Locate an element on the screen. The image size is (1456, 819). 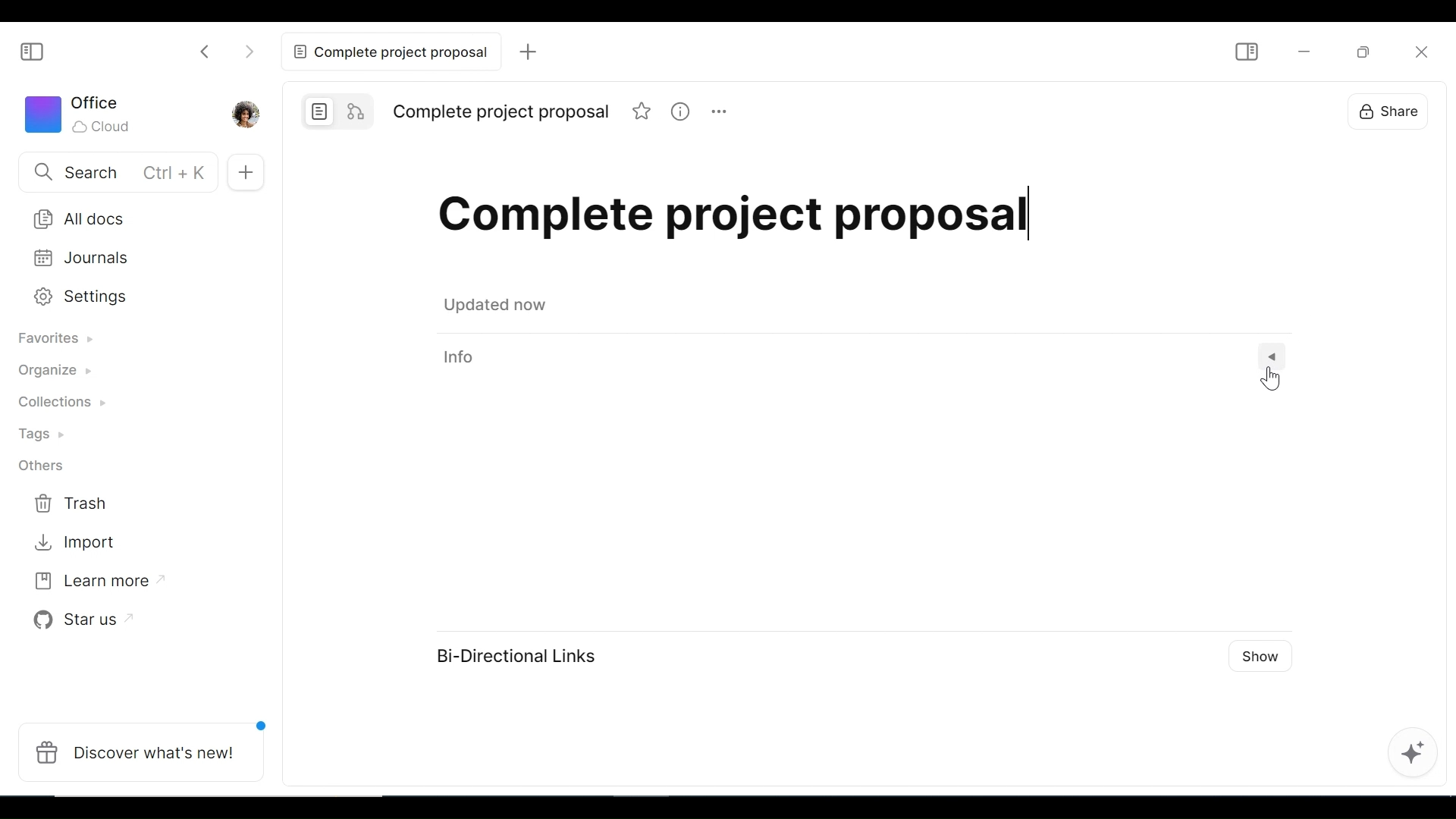
Add is located at coordinates (529, 52).